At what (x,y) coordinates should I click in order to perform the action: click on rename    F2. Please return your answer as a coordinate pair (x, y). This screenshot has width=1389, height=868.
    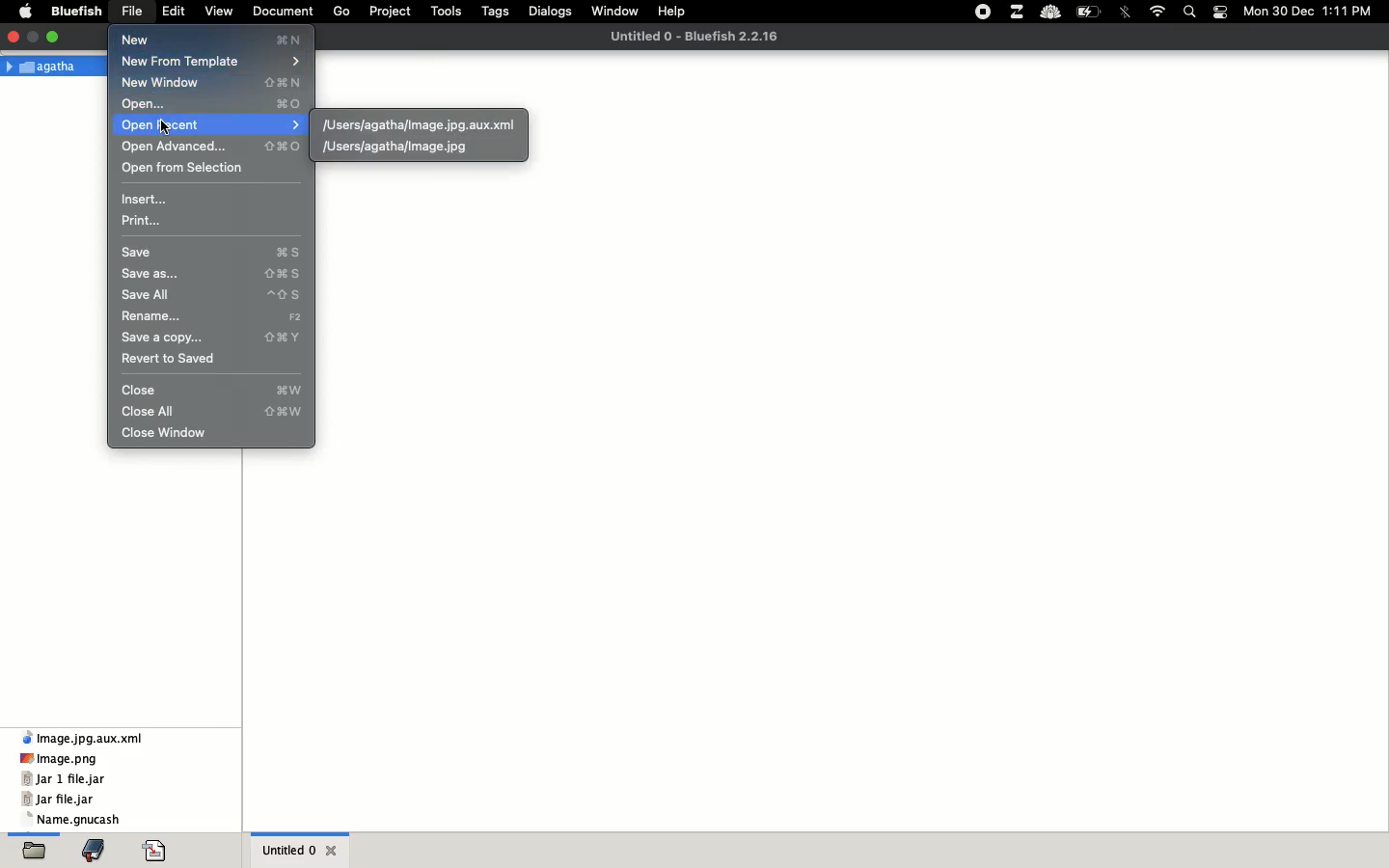
    Looking at the image, I should click on (213, 317).